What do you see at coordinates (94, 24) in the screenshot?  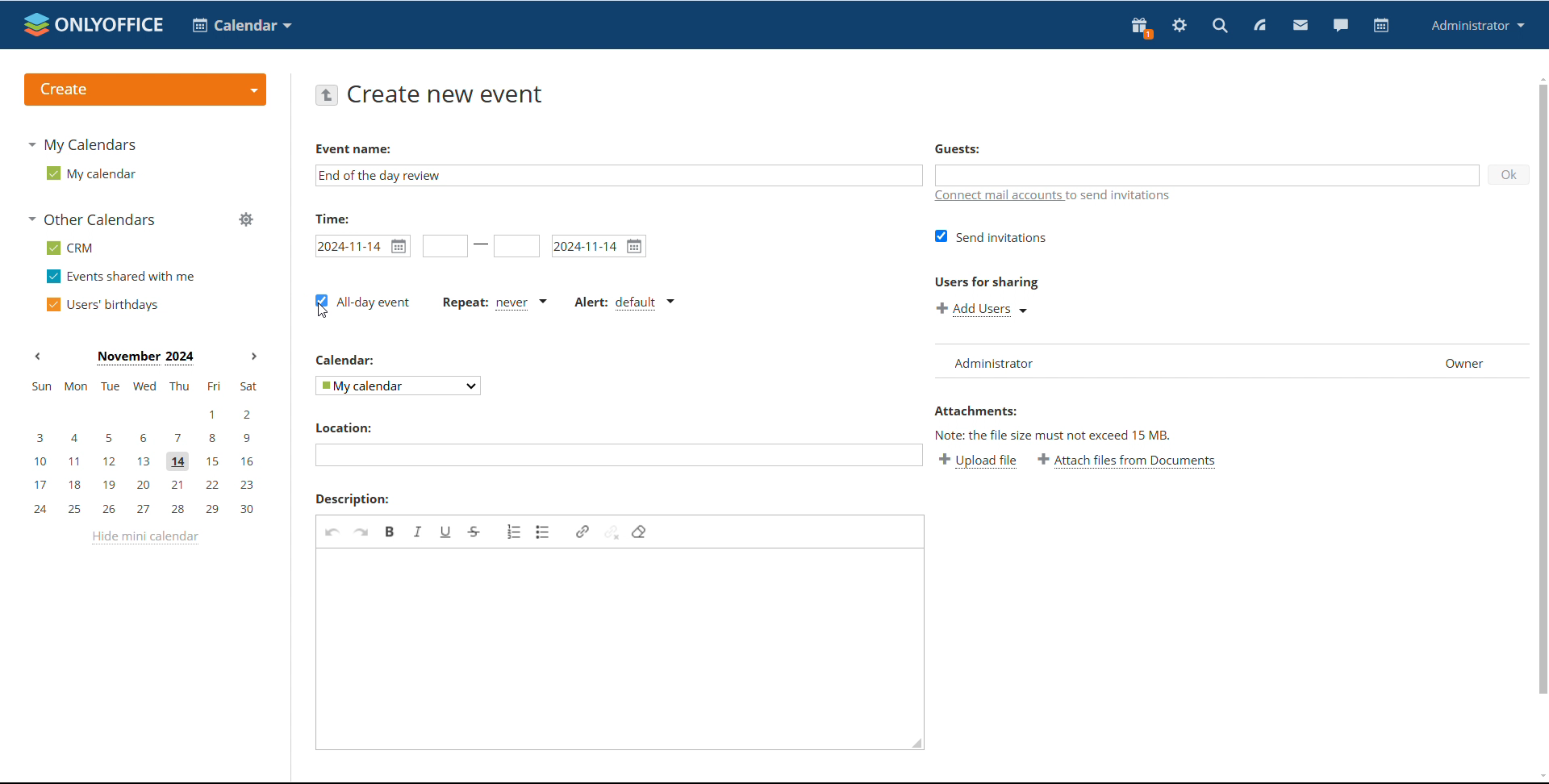 I see `logo` at bounding box center [94, 24].